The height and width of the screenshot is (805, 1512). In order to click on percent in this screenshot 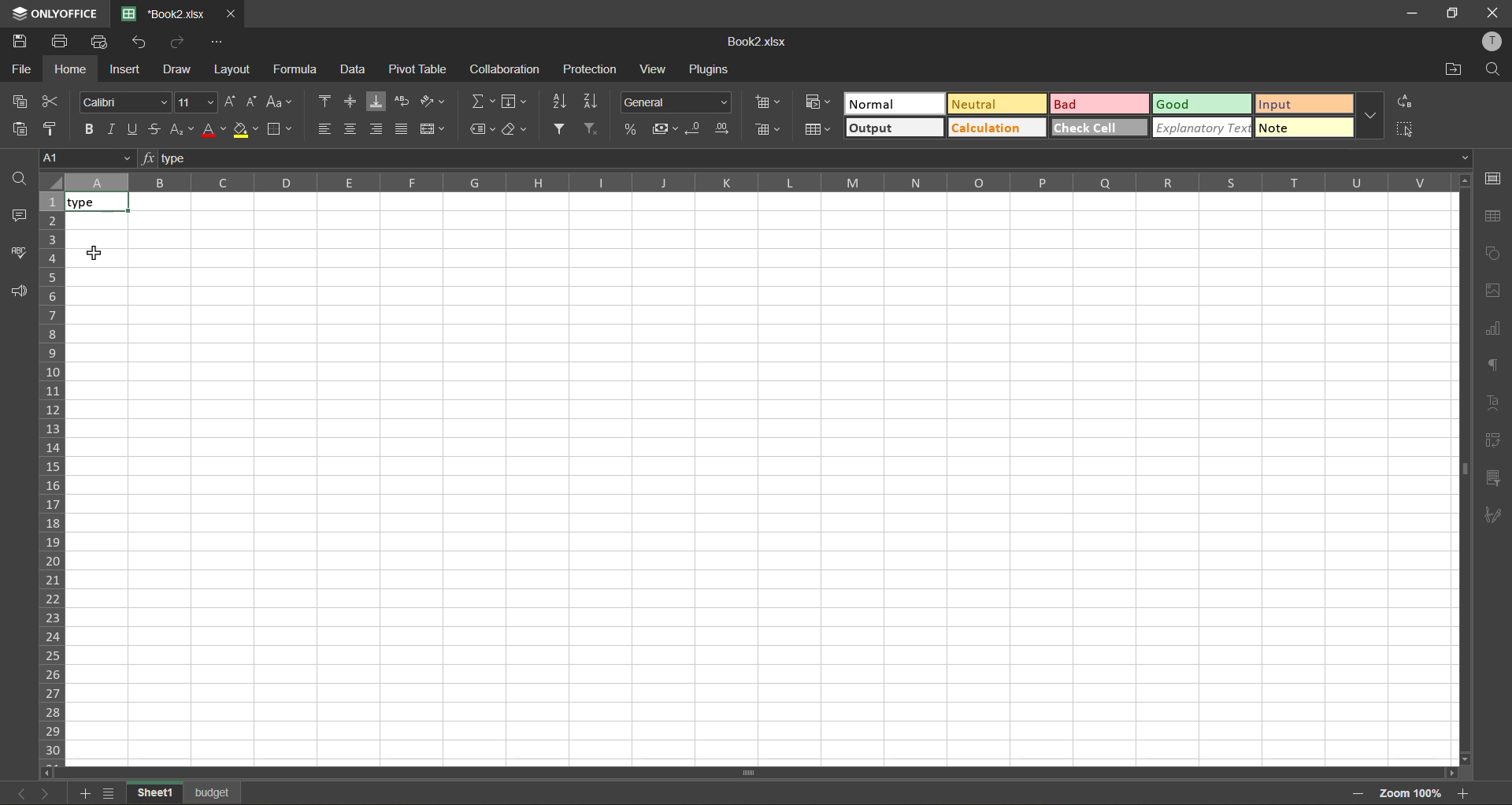, I will do `click(632, 130)`.